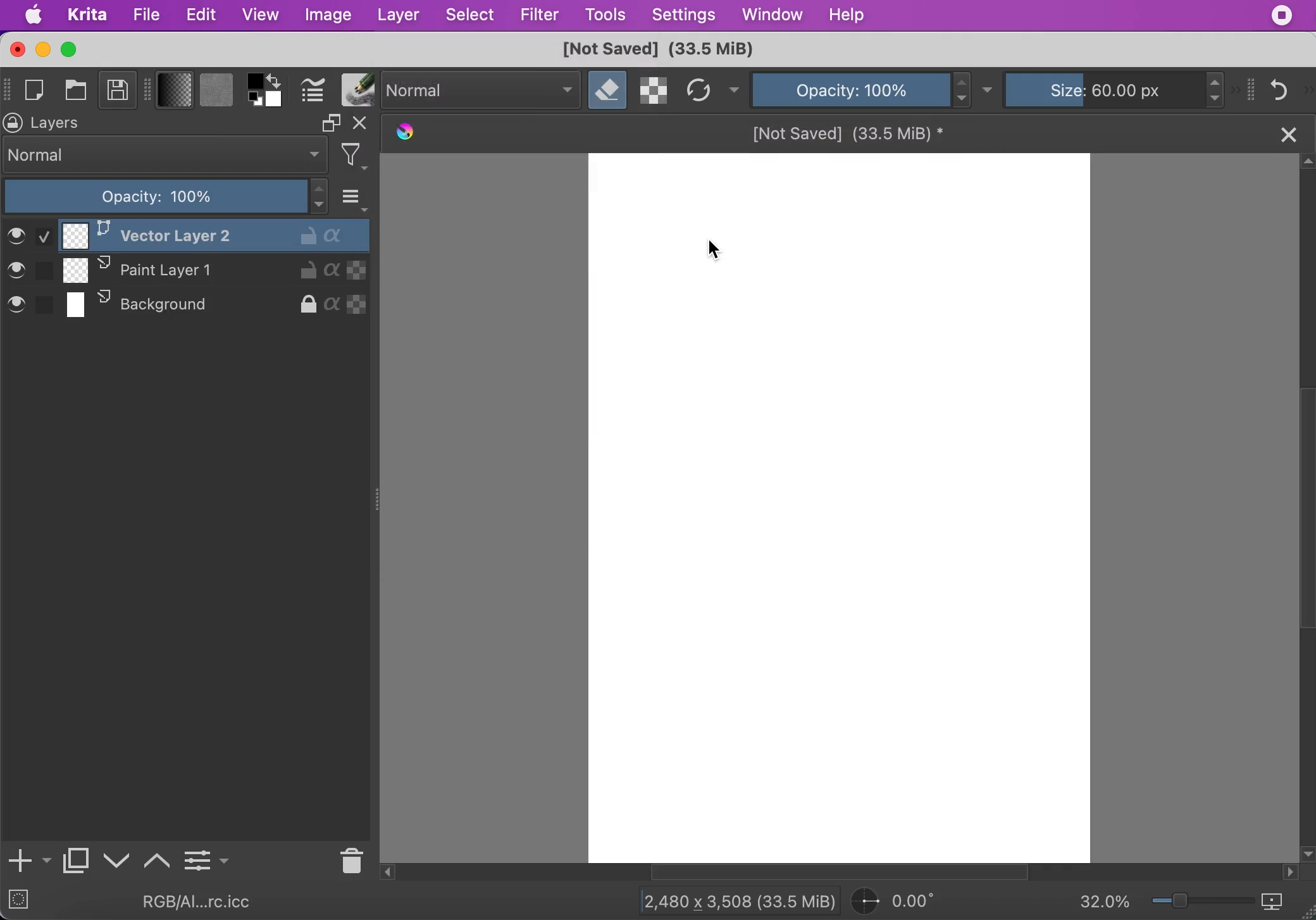  I want to click on size, so click(1108, 88).